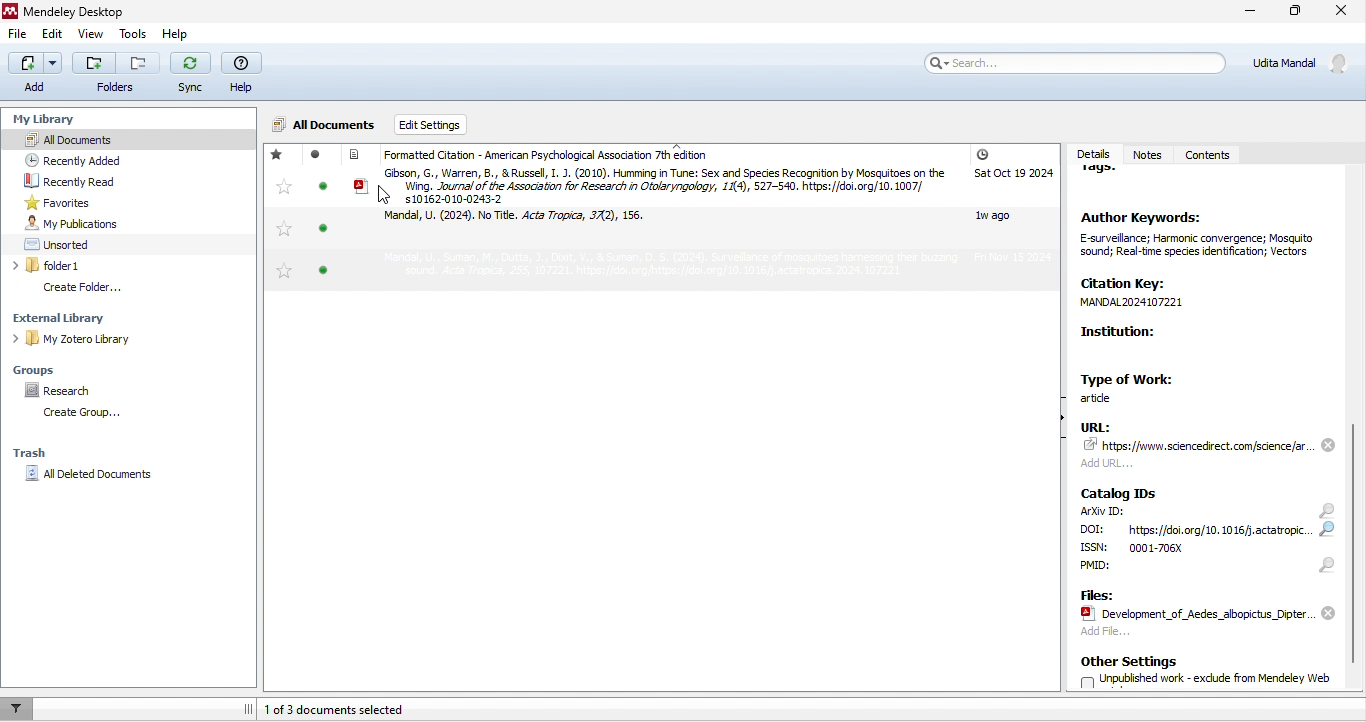 This screenshot has width=1366, height=722. What do you see at coordinates (1168, 298) in the screenshot?
I see `~ Citation Key:
| MawoAL24107221` at bounding box center [1168, 298].